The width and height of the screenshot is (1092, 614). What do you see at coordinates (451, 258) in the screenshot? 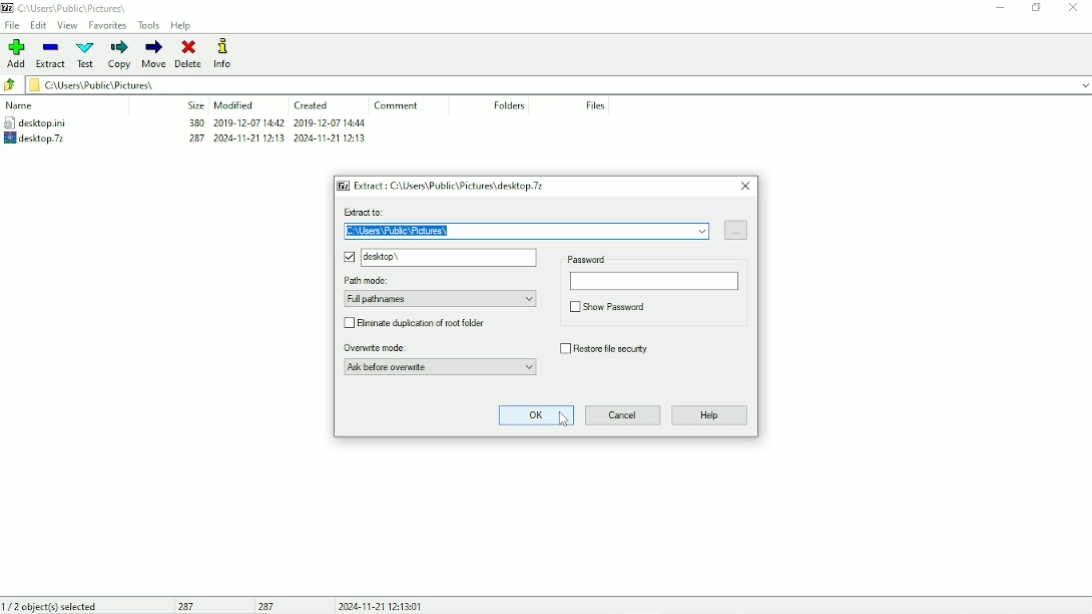
I see `desktop` at bounding box center [451, 258].